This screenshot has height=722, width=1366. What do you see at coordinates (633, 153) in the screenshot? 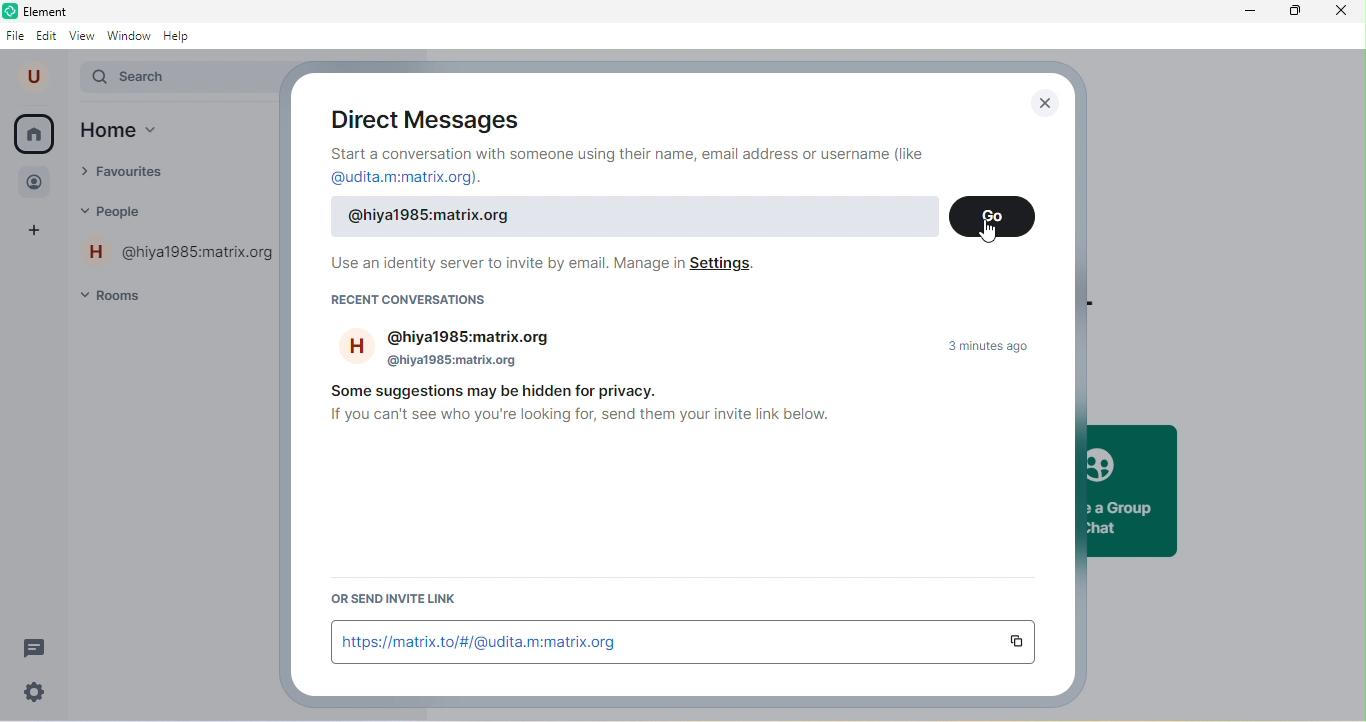
I see `start a conversation with someone using their name, email address or username ` at bounding box center [633, 153].